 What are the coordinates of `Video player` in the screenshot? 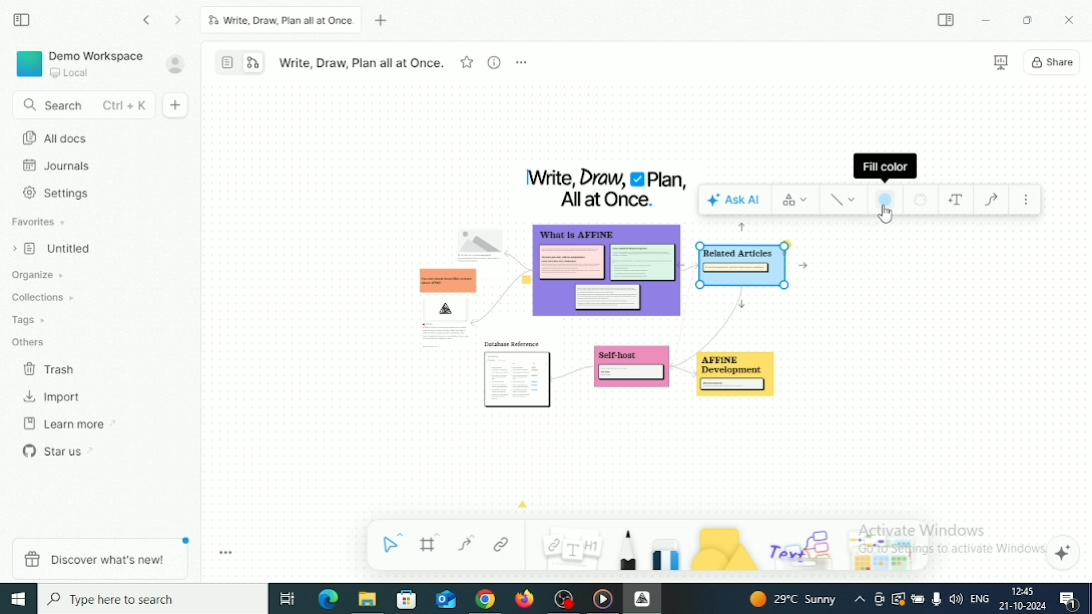 It's located at (603, 599).